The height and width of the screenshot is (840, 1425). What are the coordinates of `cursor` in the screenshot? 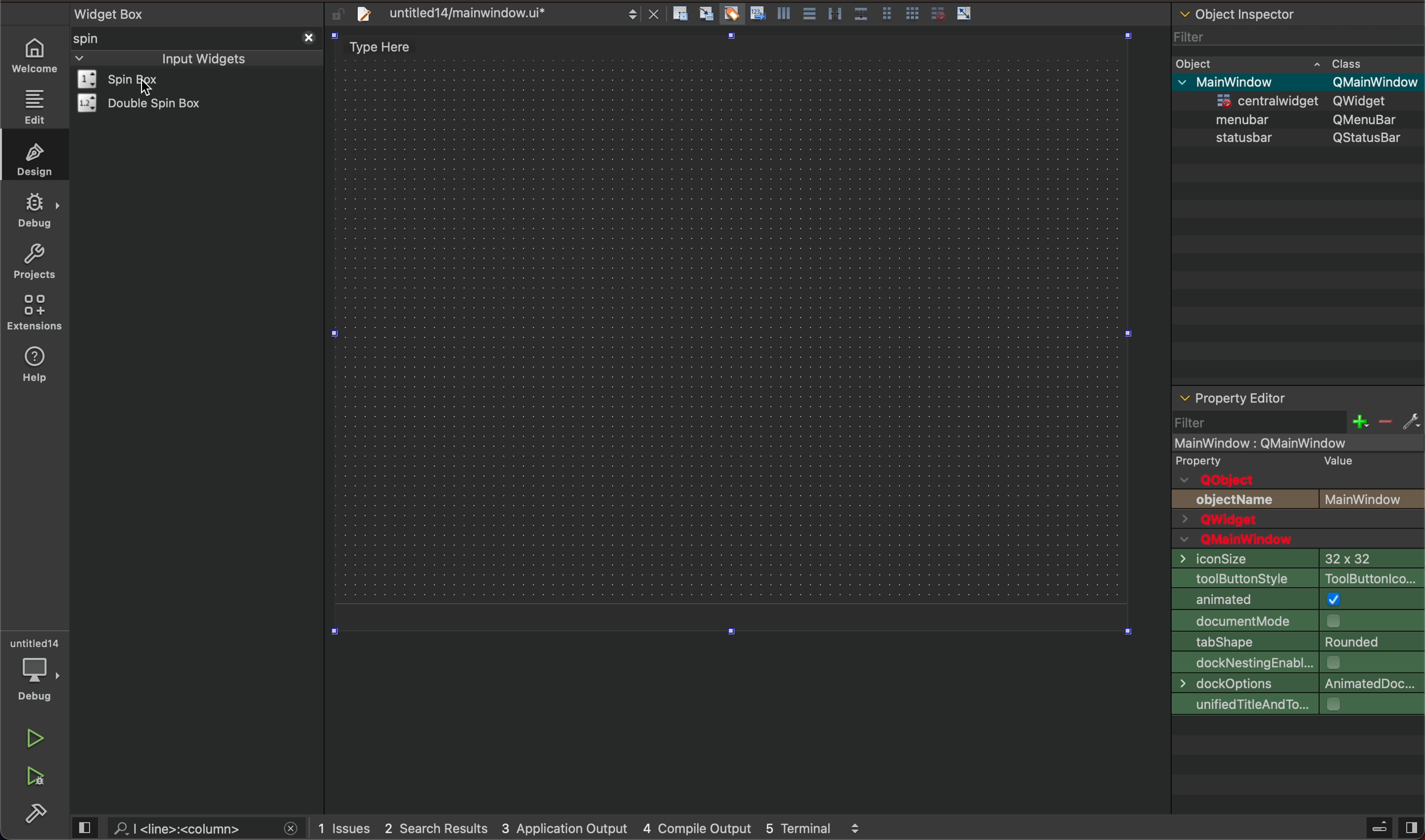 It's located at (148, 88).